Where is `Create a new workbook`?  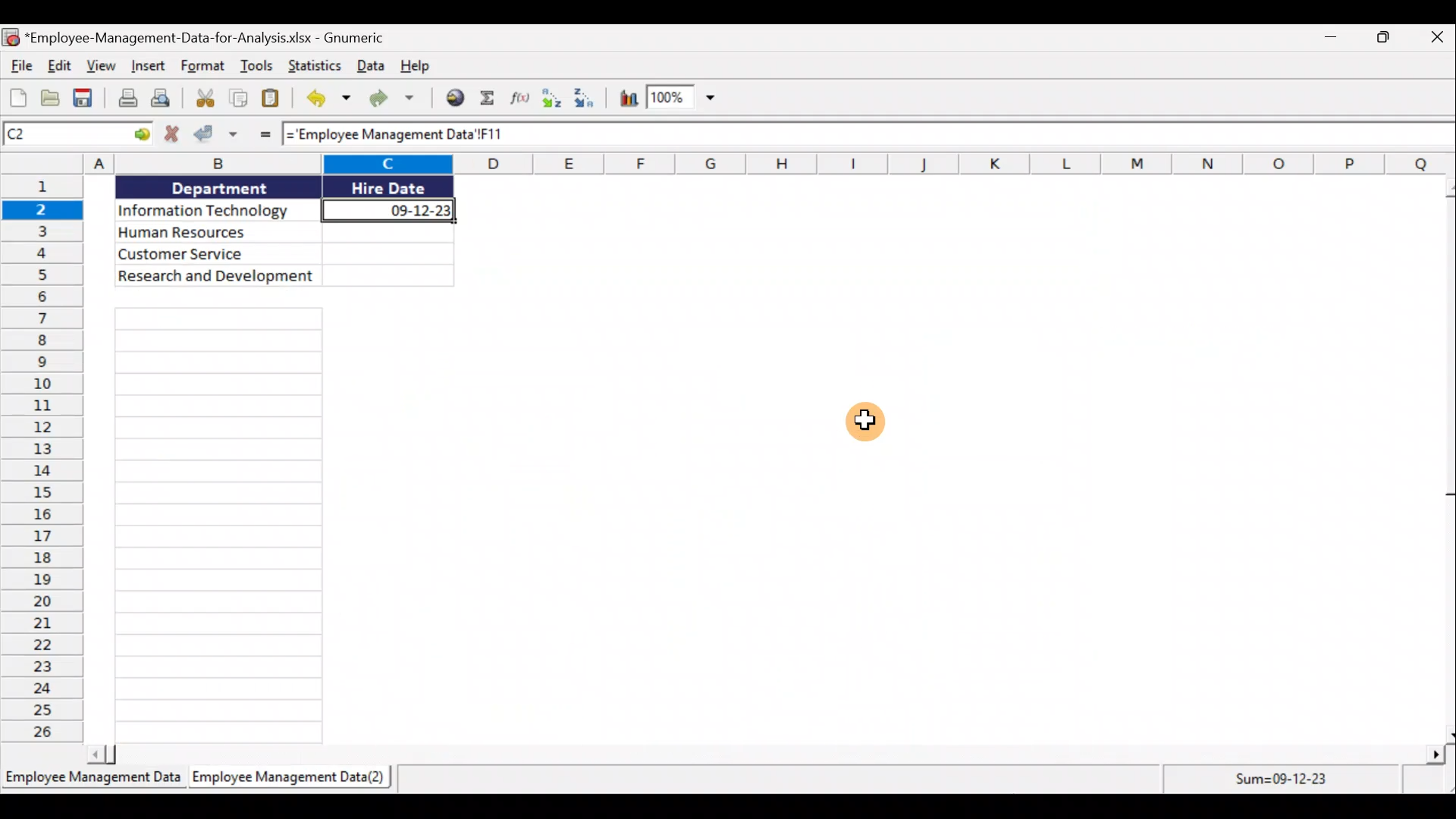
Create a new workbook is located at coordinates (17, 98).